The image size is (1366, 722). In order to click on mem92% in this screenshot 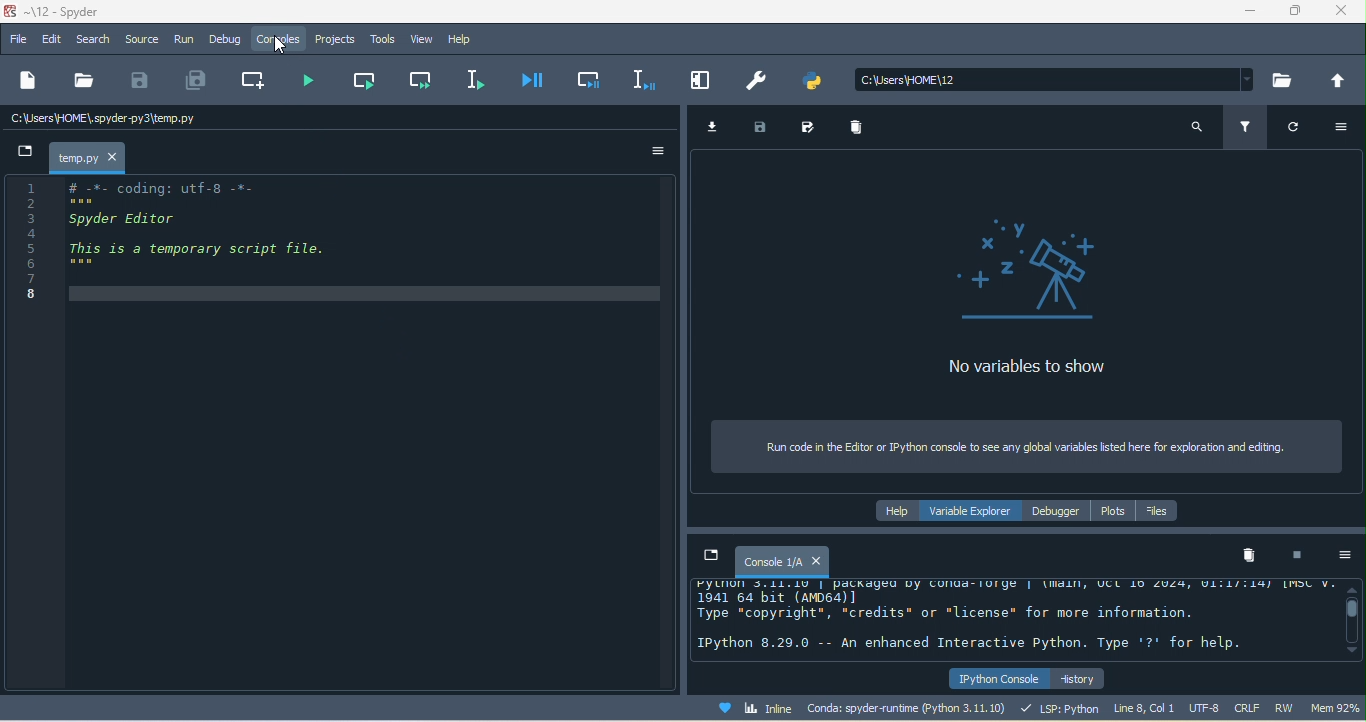, I will do `click(1333, 709)`.